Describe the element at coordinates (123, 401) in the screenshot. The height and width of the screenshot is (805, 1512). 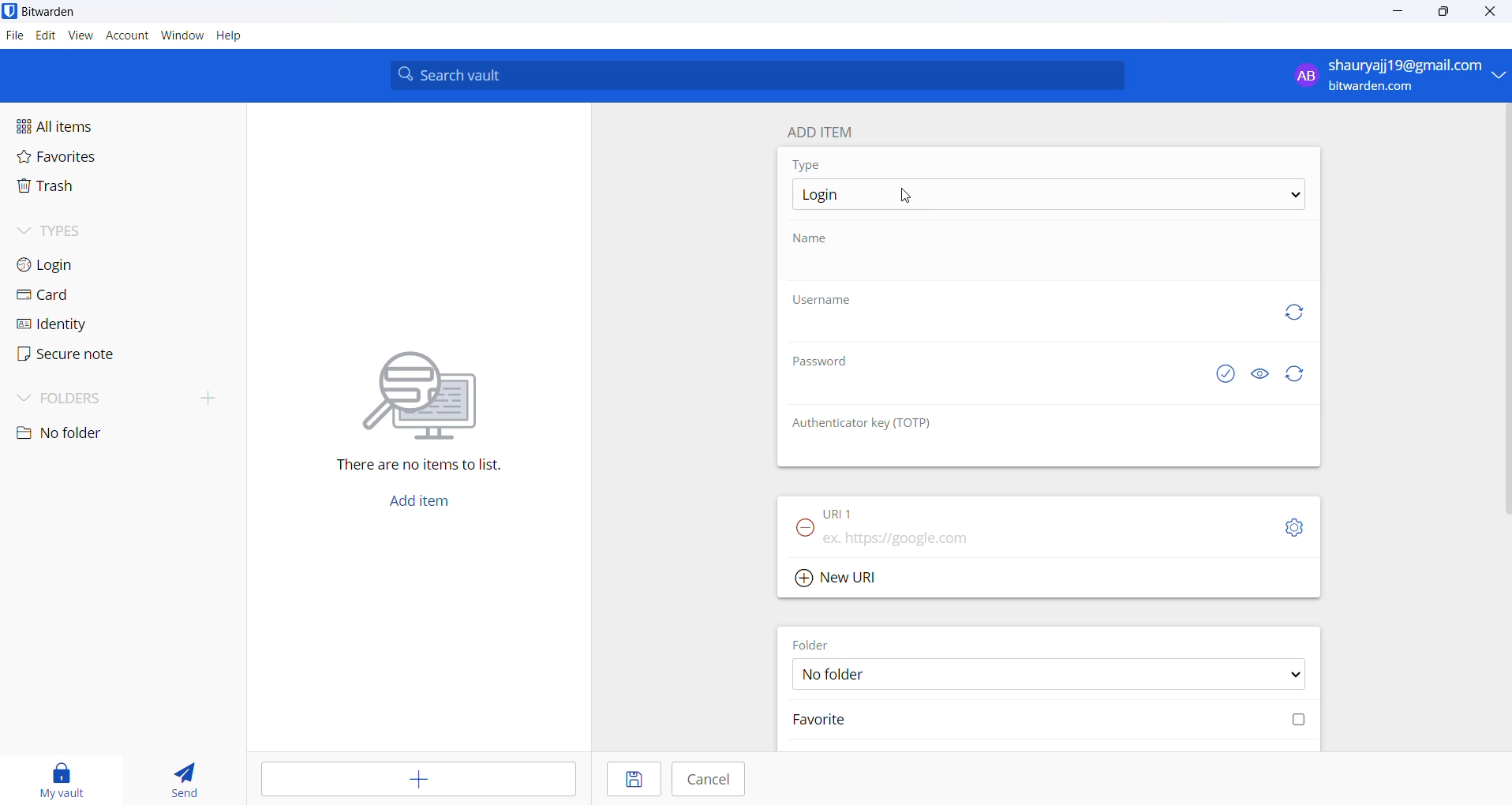
I see `folders` at that location.